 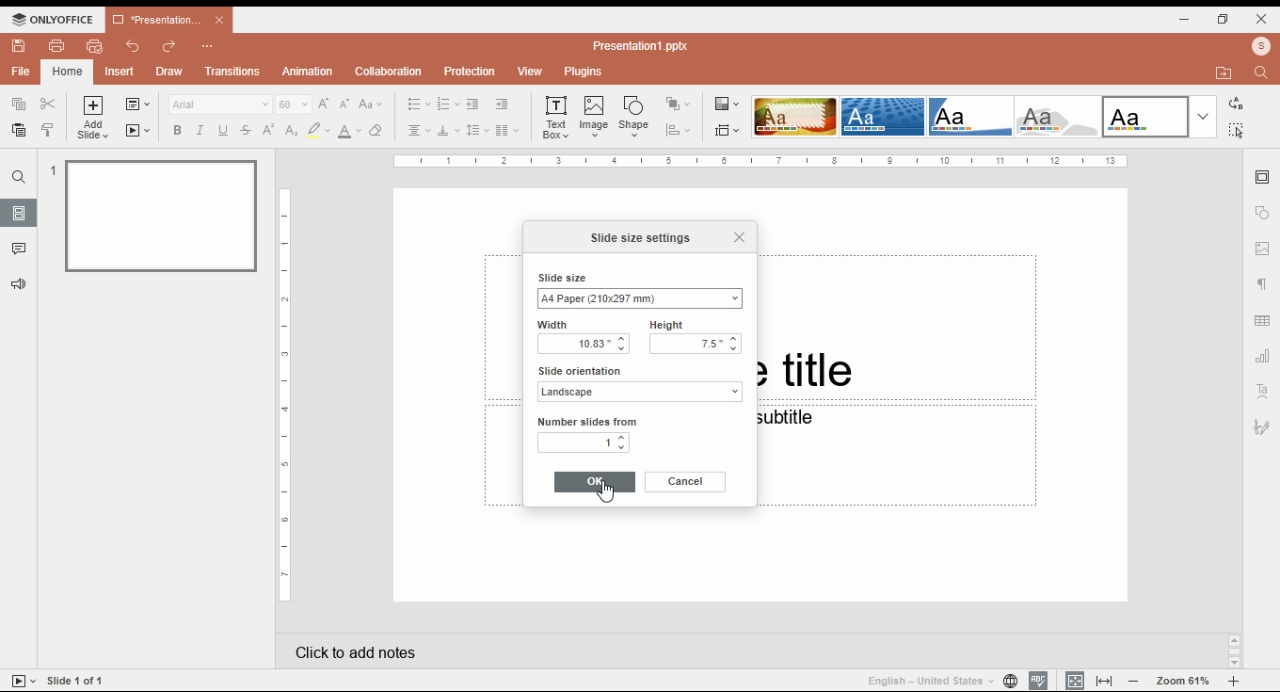 What do you see at coordinates (371, 104) in the screenshot?
I see `change case` at bounding box center [371, 104].